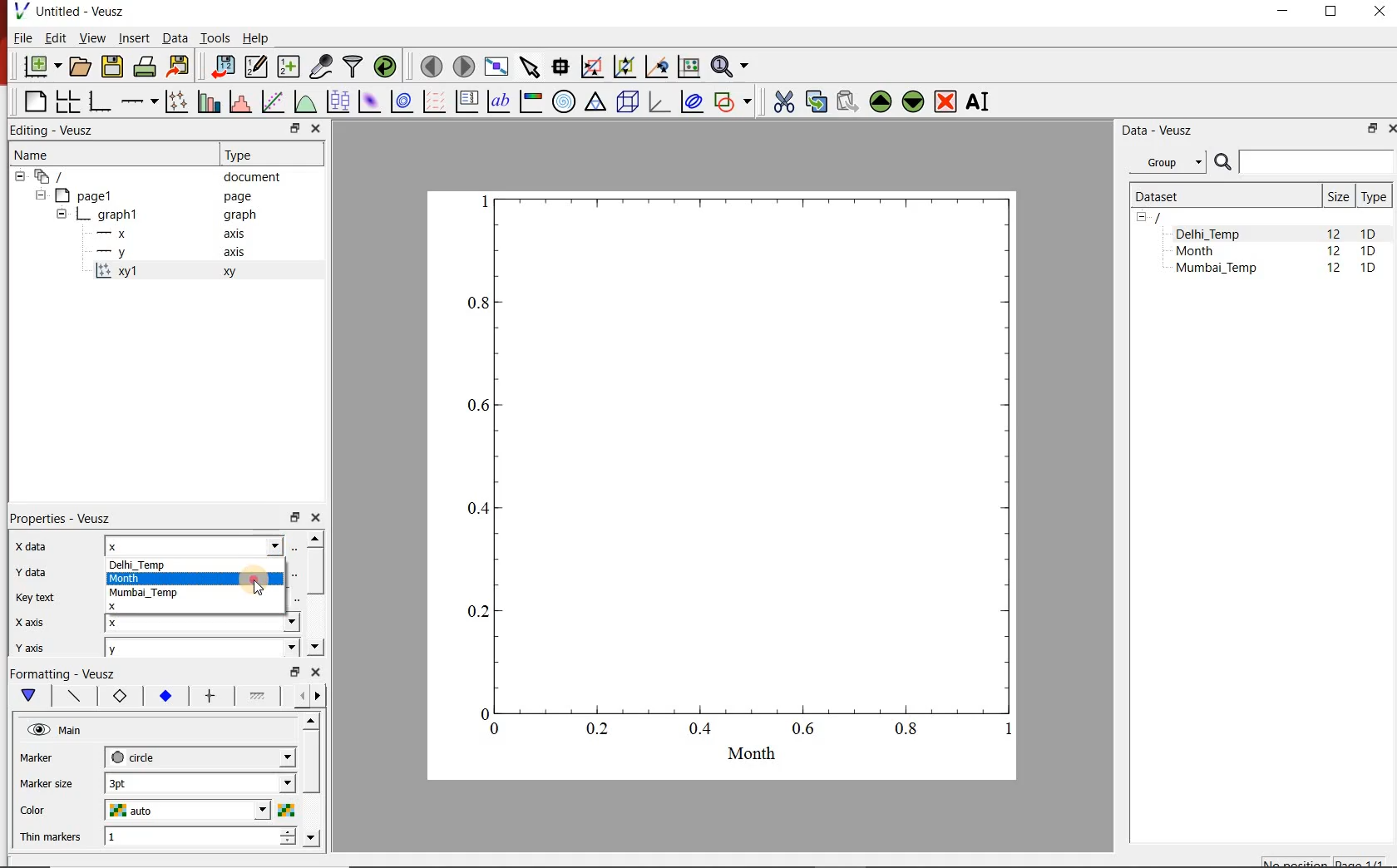 The width and height of the screenshot is (1397, 868). I want to click on text label, so click(498, 101).